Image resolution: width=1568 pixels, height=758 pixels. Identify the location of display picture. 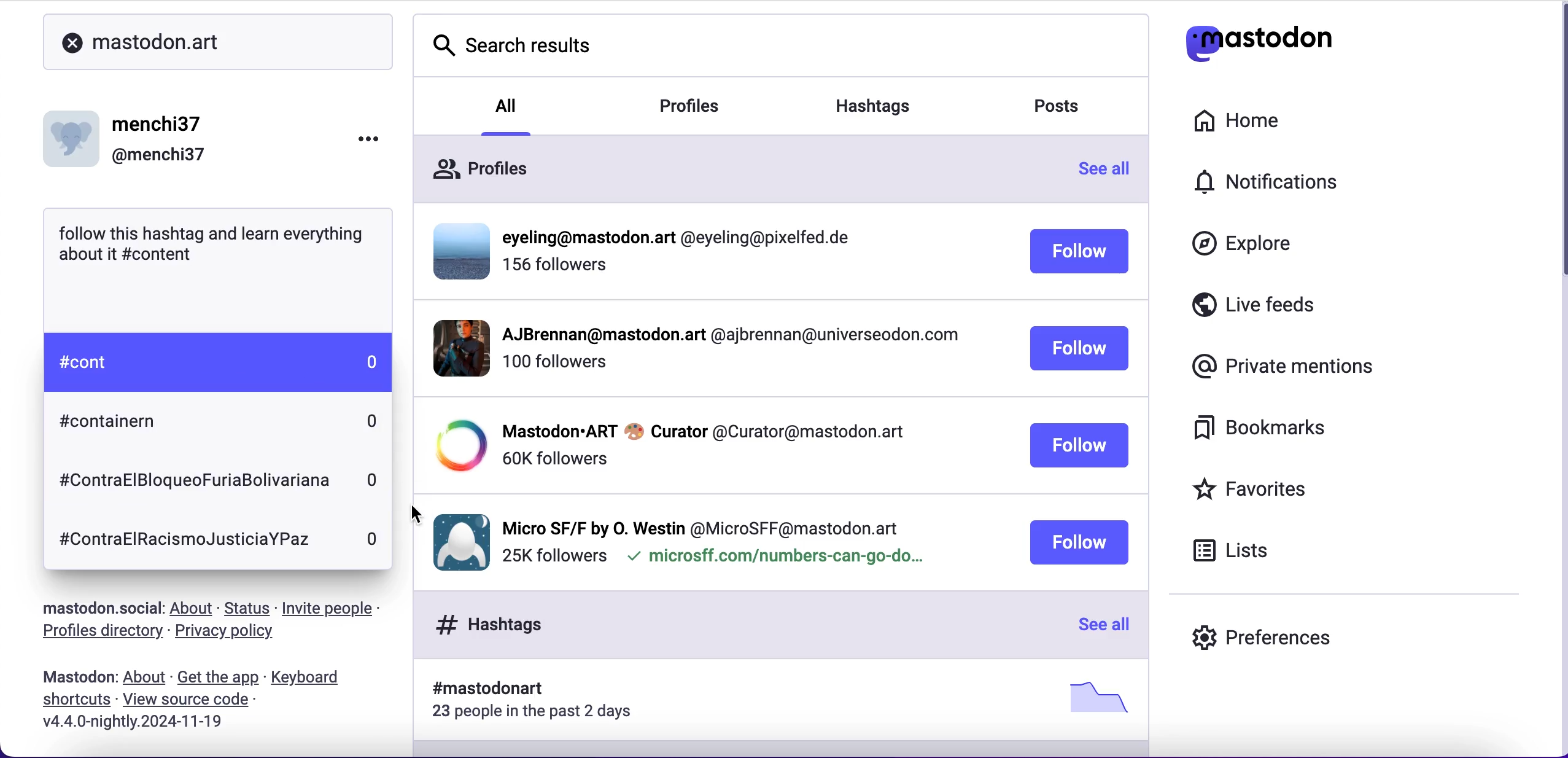
(74, 135).